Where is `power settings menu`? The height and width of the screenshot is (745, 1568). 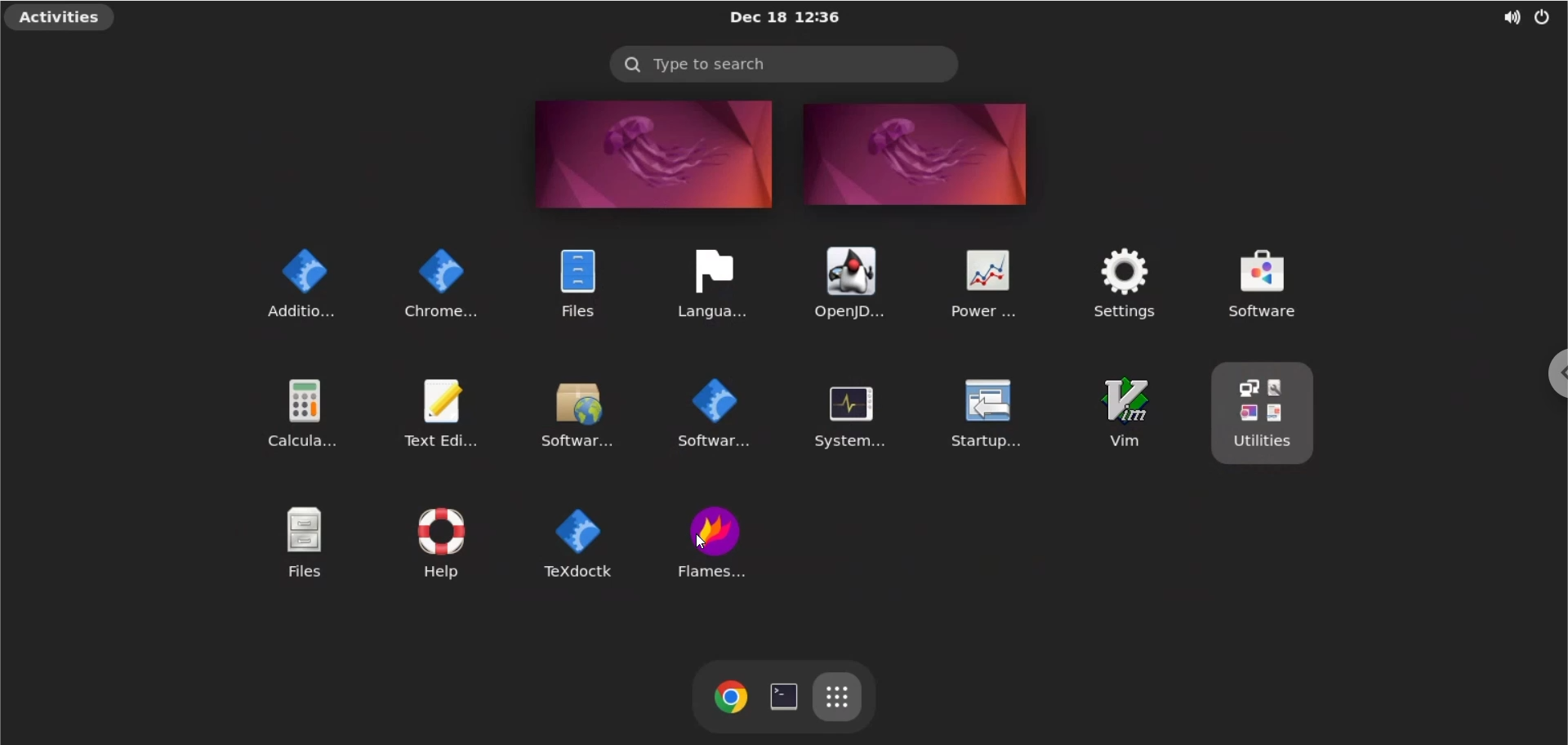
power settings menu is located at coordinates (1544, 16).